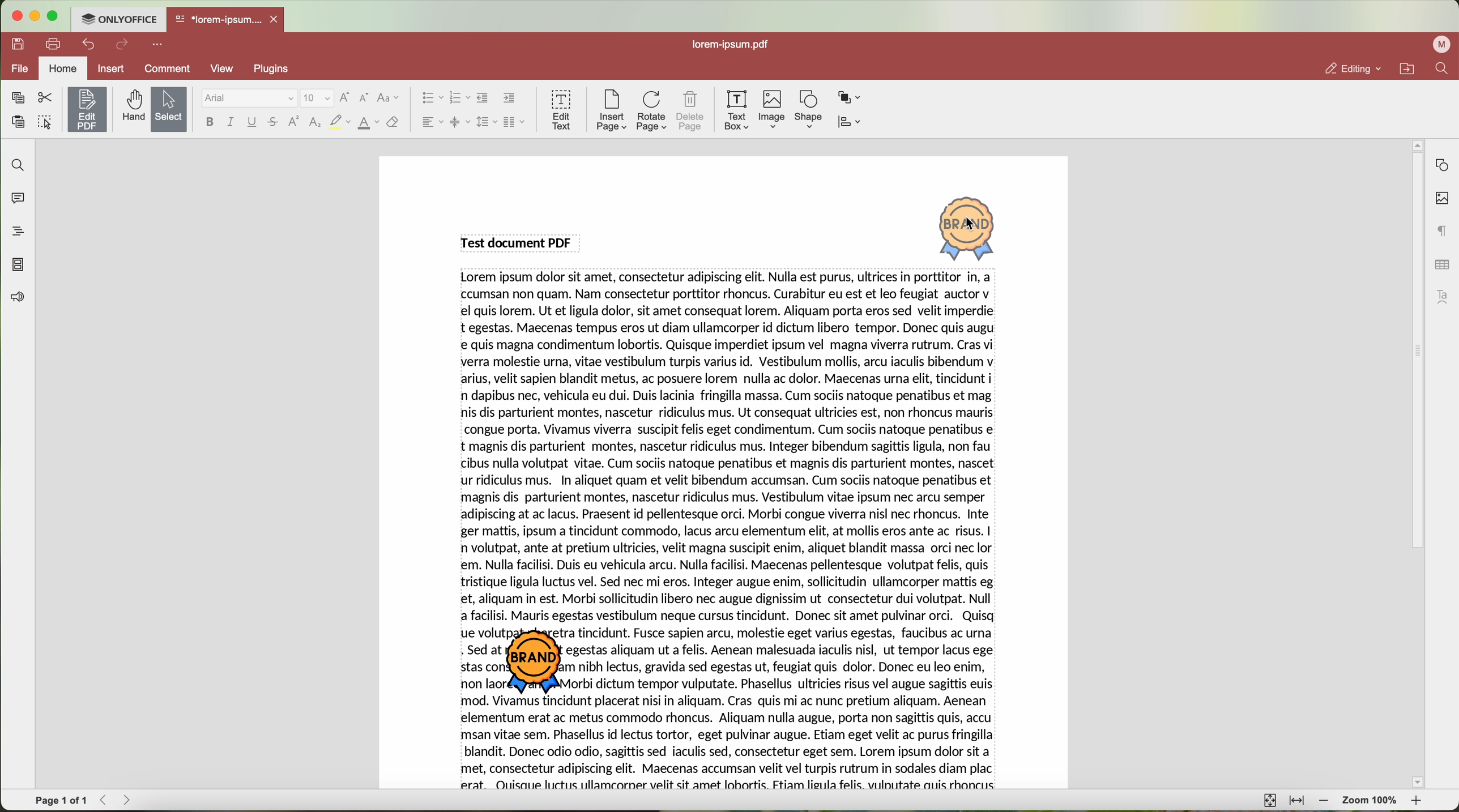  What do you see at coordinates (248, 99) in the screenshot?
I see `Arial` at bounding box center [248, 99].